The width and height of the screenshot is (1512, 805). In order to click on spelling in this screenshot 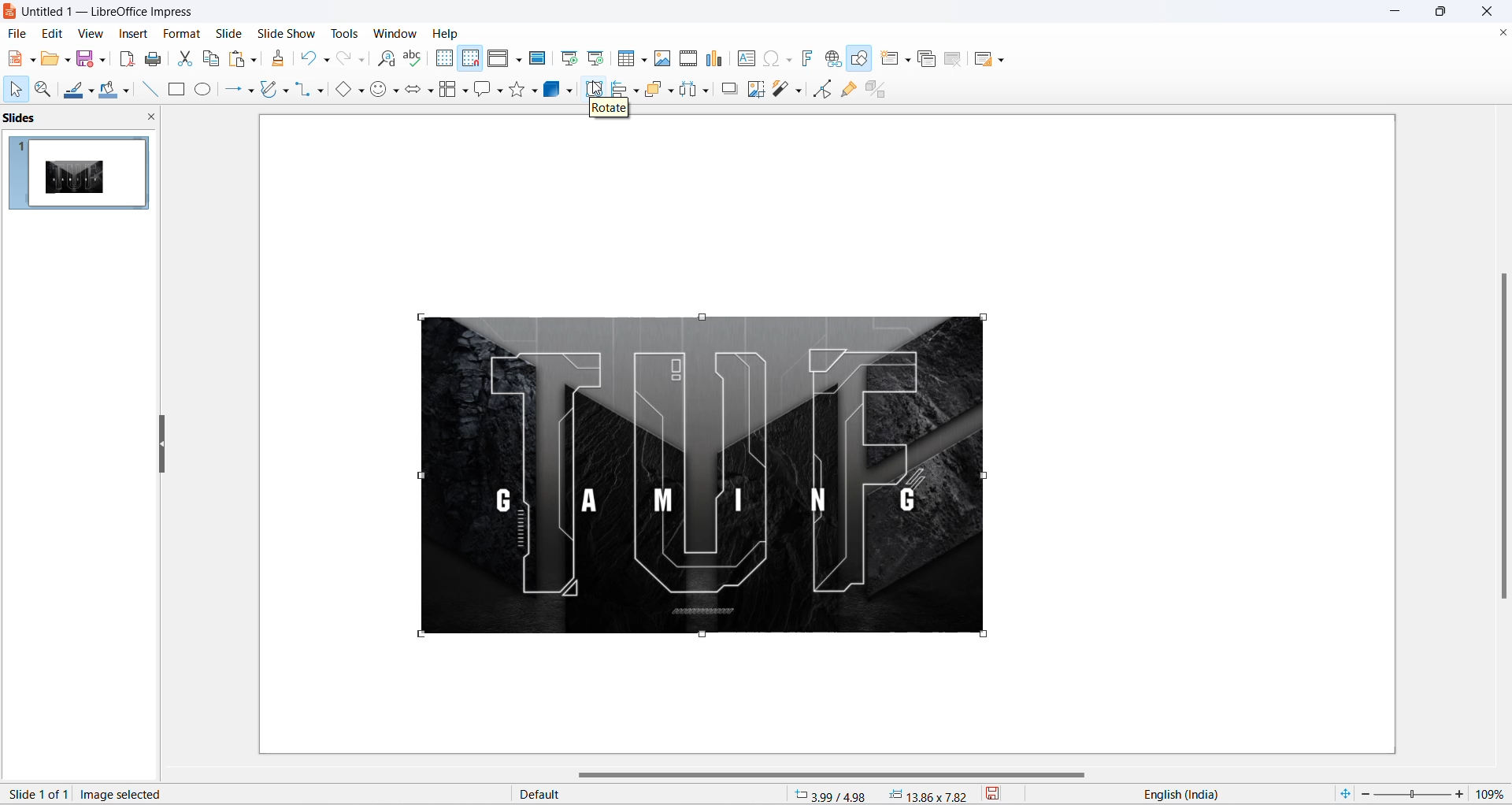, I will do `click(413, 59)`.